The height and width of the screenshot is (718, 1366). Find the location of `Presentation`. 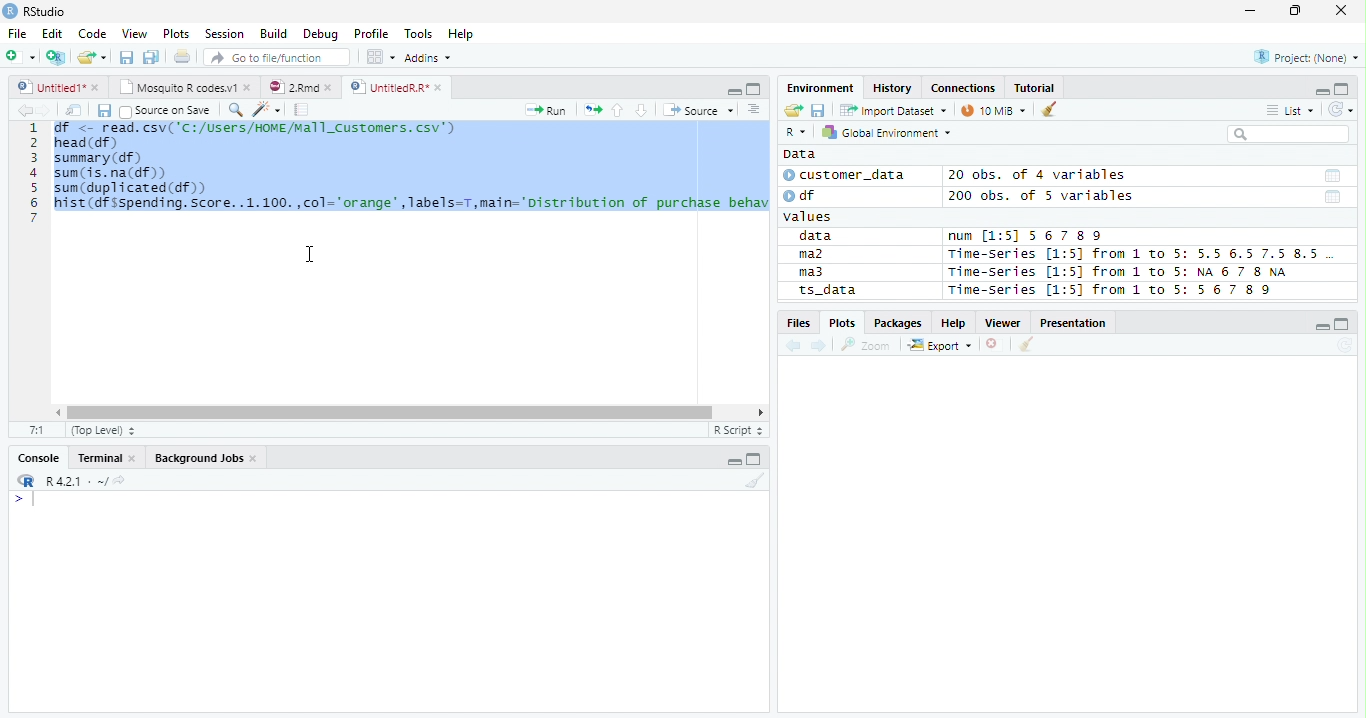

Presentation is located at coordinates (1076, 323).